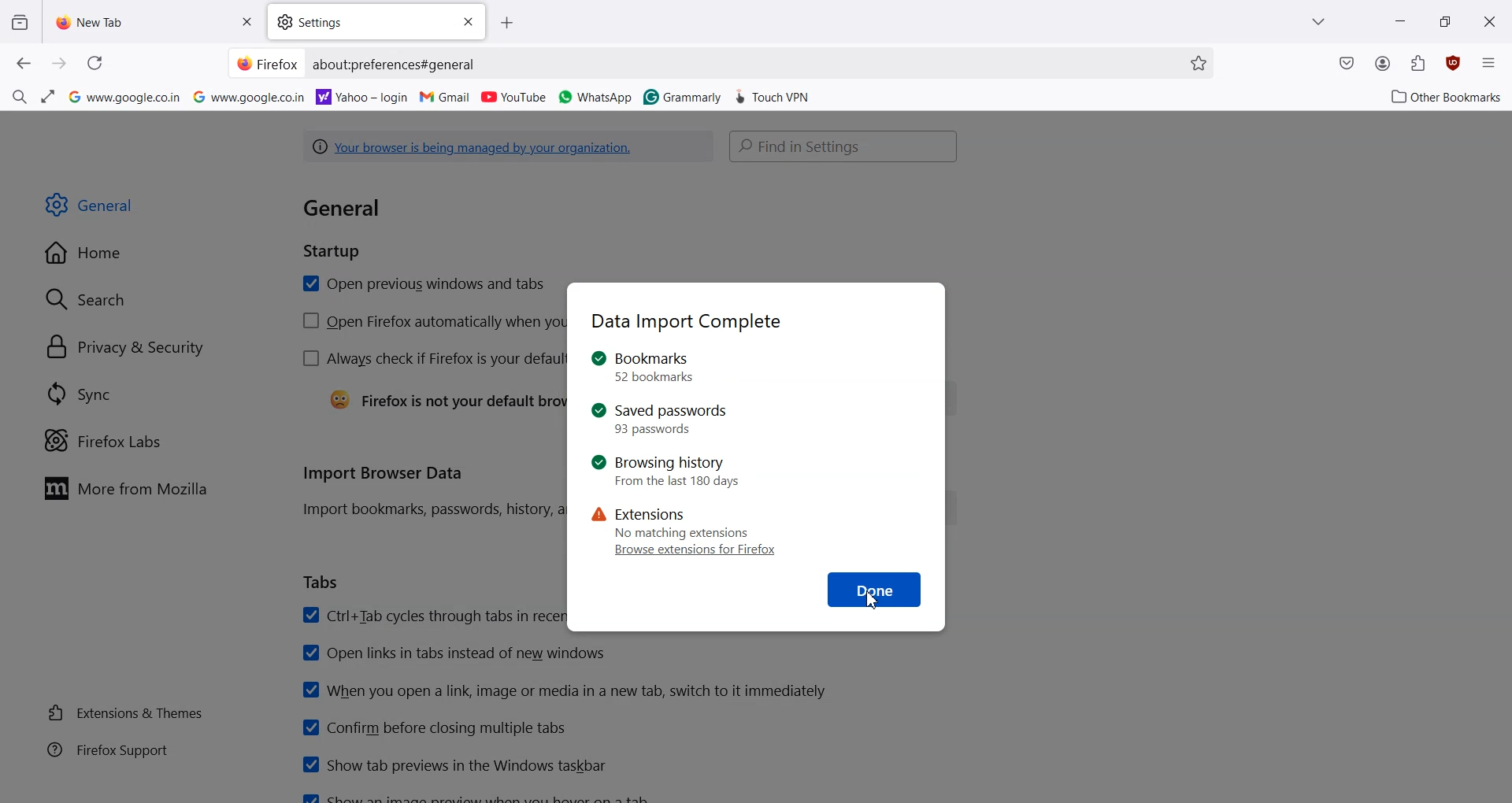  I want to click on Touch VPN Bookmark, so click(774, 94).